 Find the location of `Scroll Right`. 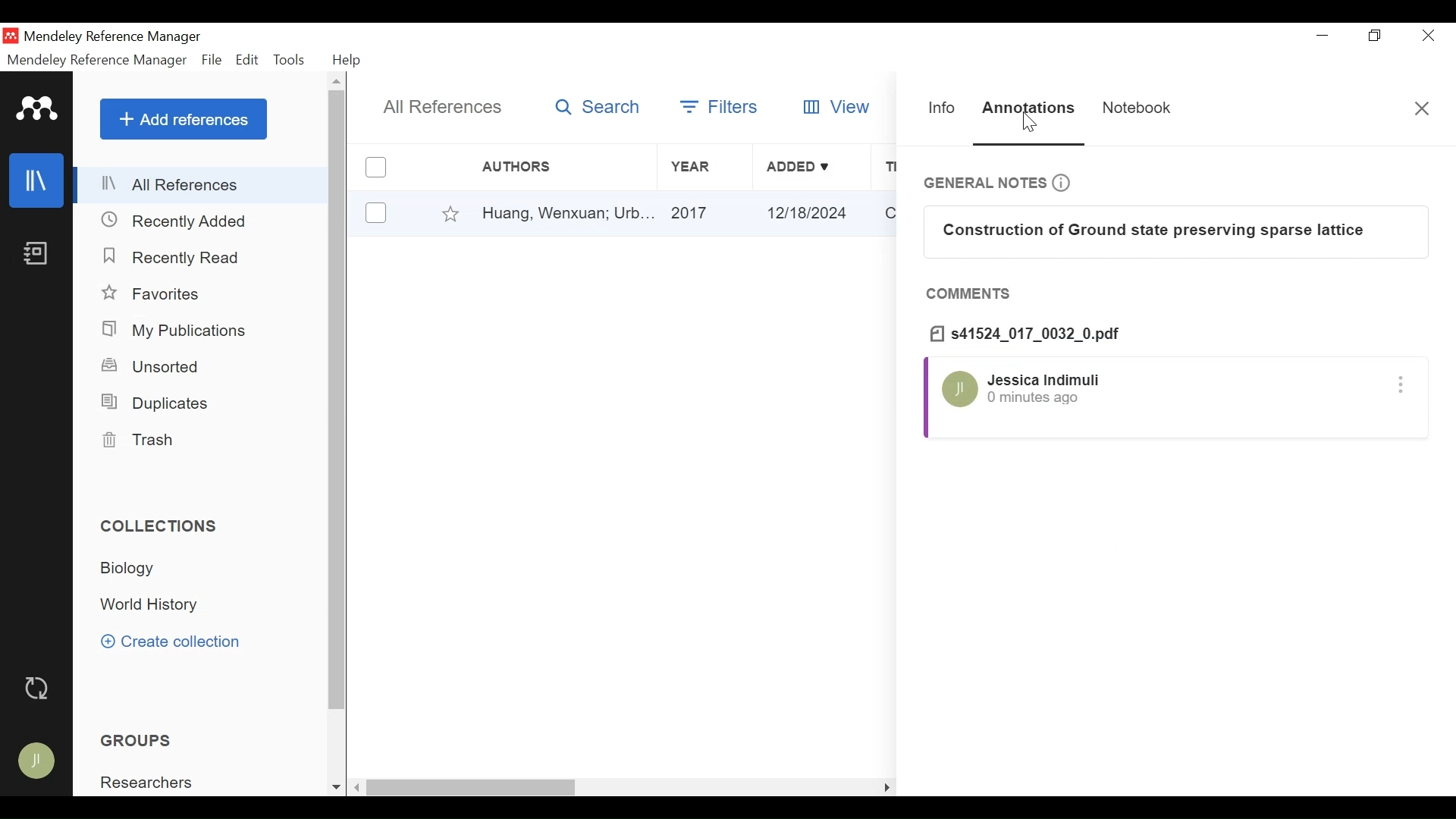

Scroll Right is located at coordinates (883, 786).